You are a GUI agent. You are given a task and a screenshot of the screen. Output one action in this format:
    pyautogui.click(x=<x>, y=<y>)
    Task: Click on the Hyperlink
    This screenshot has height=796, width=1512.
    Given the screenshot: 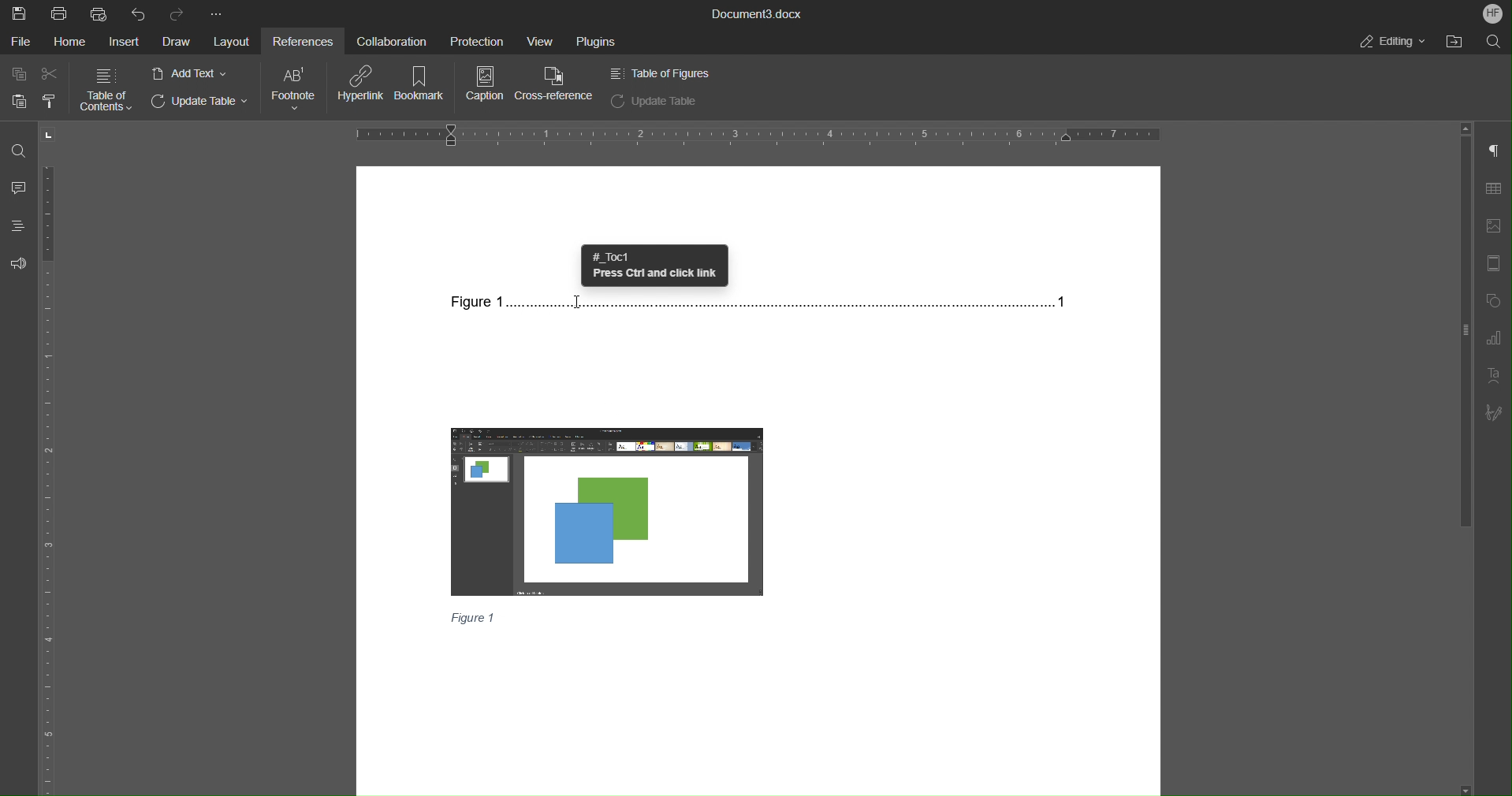 What is the action you would take?
    pyautogui.click(x=363, y=85)
    